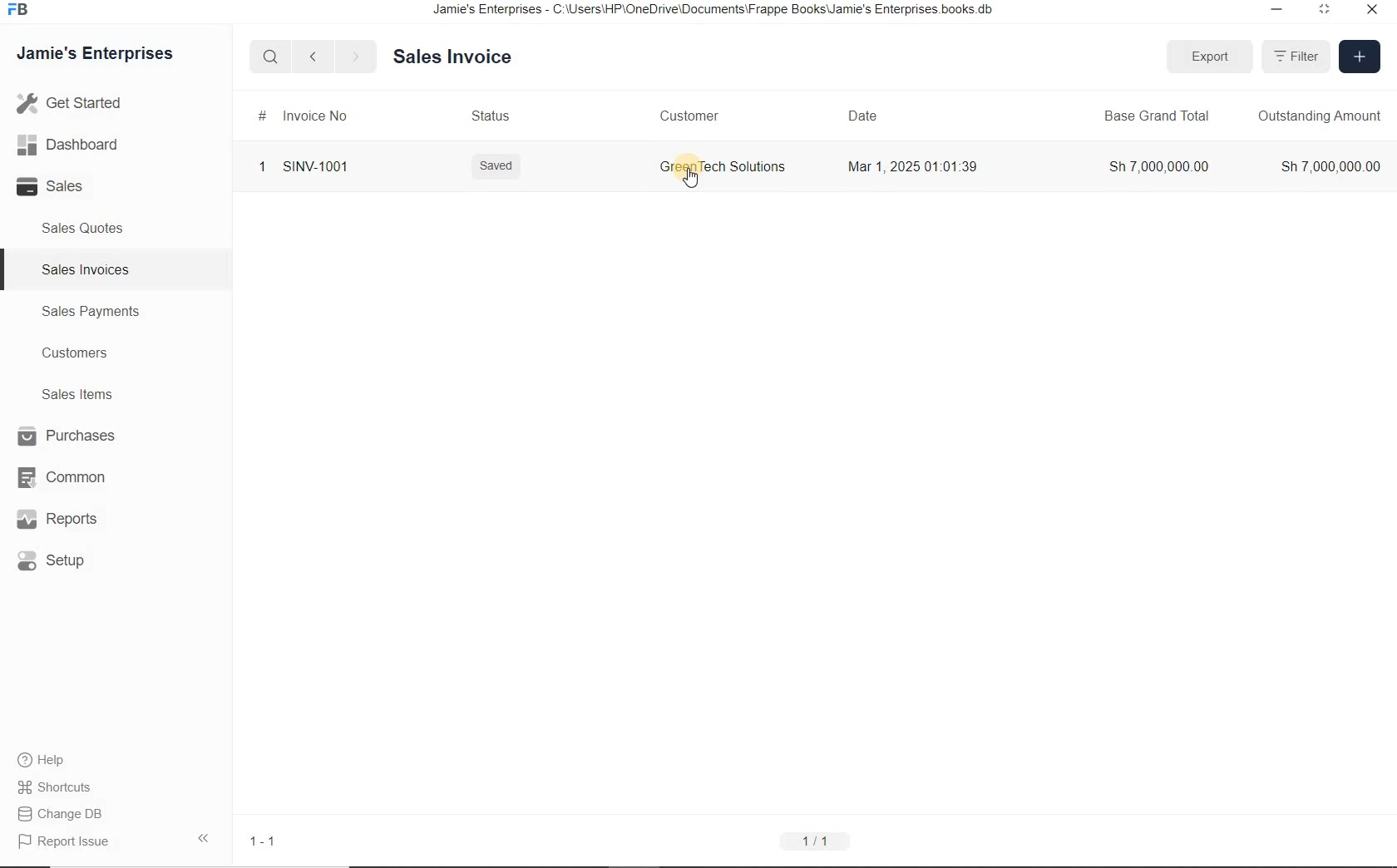 This screenshot has height=868, width=1397. Describe the element at coordinates (274, 57) in the screenshot. I see `search` at that location.